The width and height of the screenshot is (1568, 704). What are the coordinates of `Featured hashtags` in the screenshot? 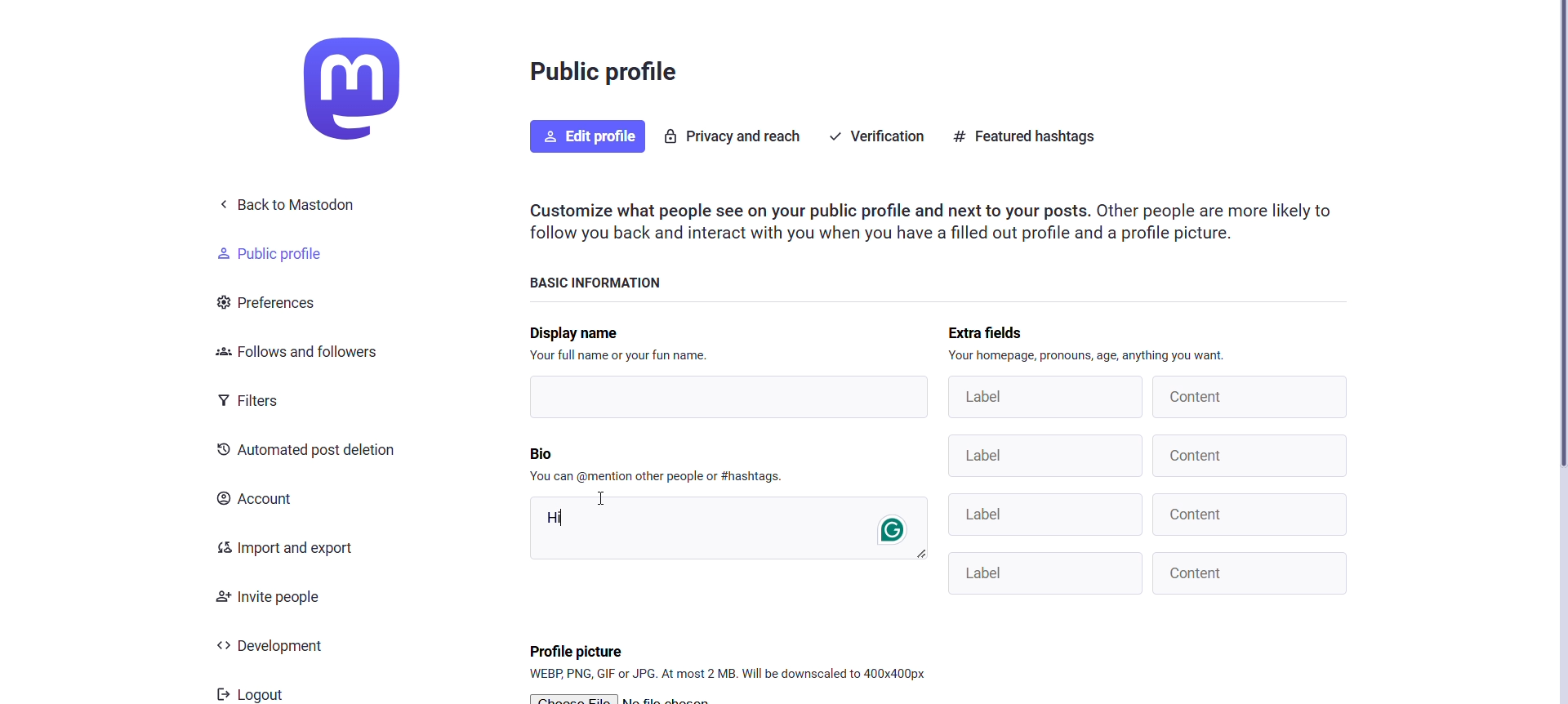 It's located at (1030, 138).